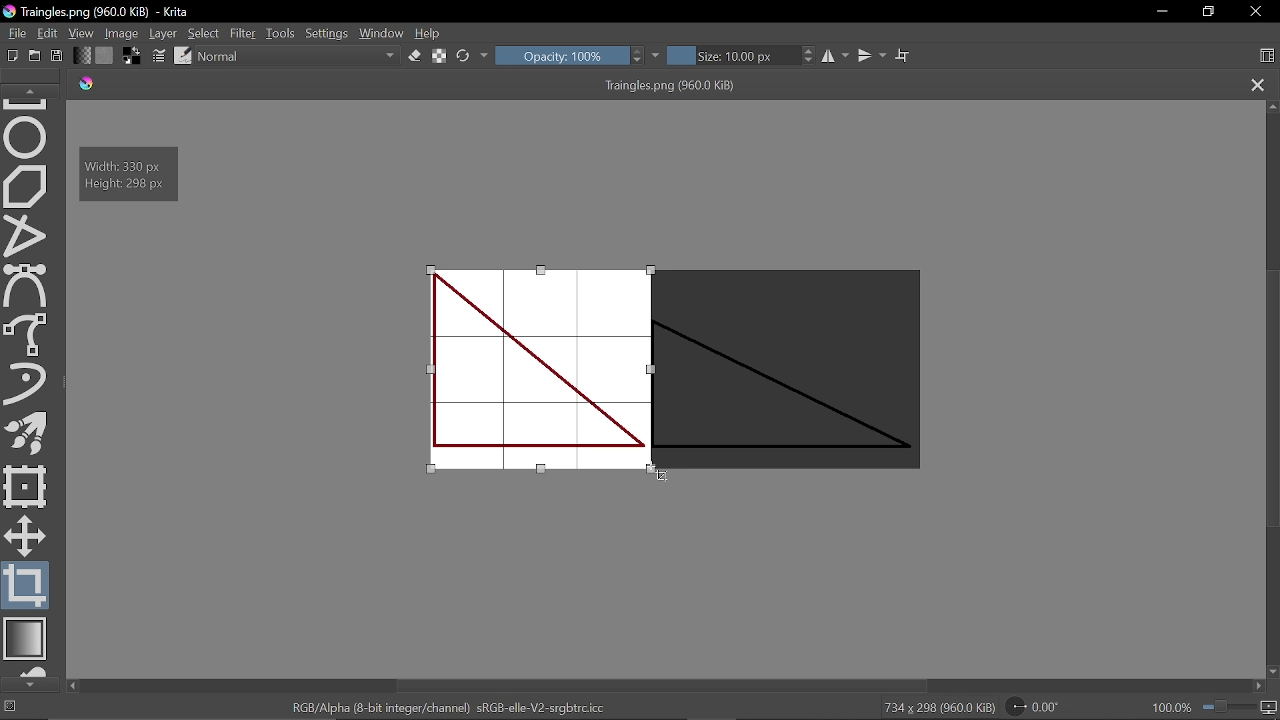  What do you see at coordinates (1162, 13) in the screenshot?
I see `Minimize` at bounding box center [1162, 13].